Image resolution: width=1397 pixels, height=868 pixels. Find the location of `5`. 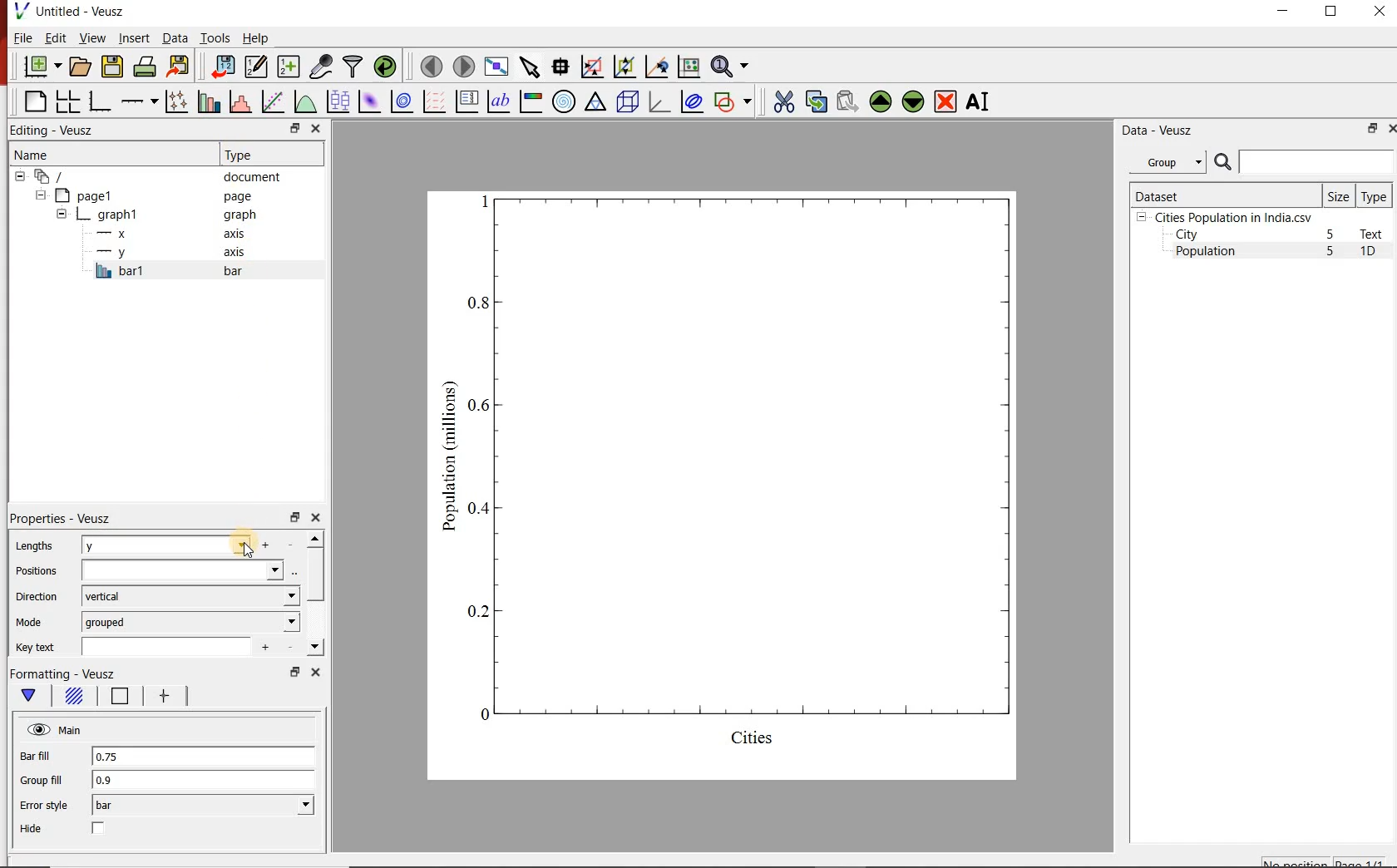

5 is located at coordinates (1331, 252).